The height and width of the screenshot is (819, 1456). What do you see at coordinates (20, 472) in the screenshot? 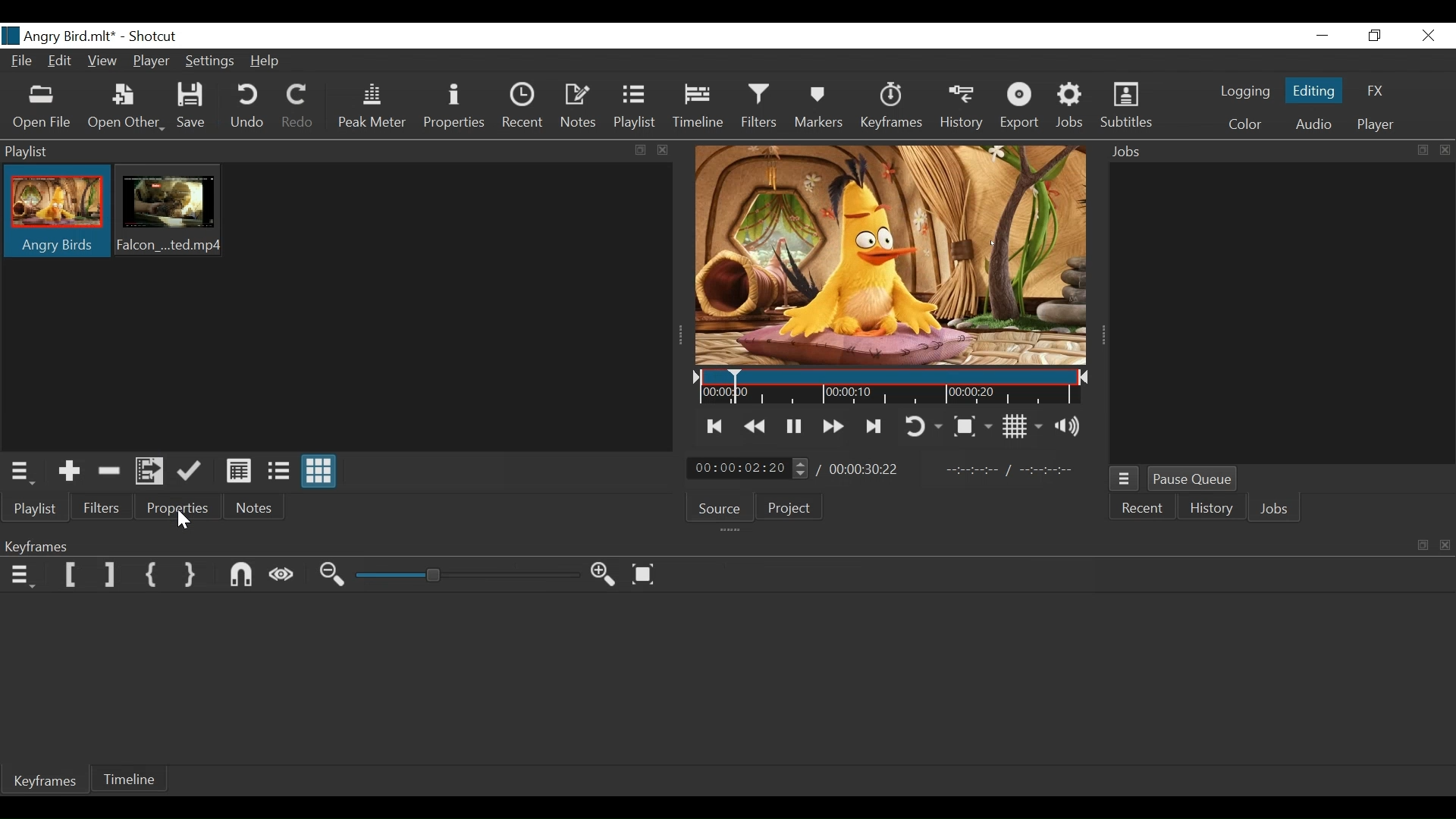
I see `Playlist menu` at bounding box center [20, 472].